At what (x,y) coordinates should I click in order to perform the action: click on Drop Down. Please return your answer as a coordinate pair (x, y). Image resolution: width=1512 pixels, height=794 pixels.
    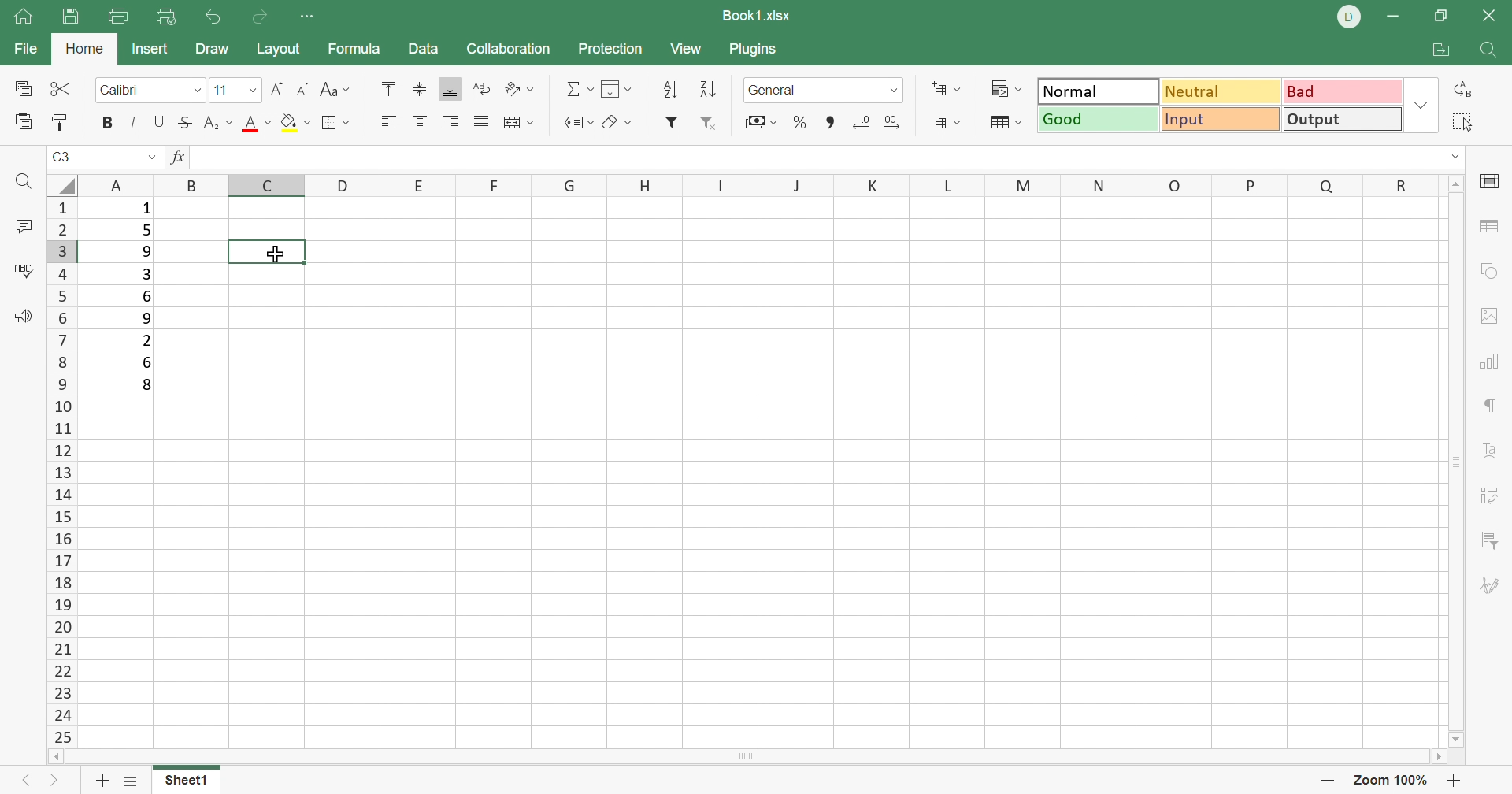
    Looking at the image, I should click on (892, 92).